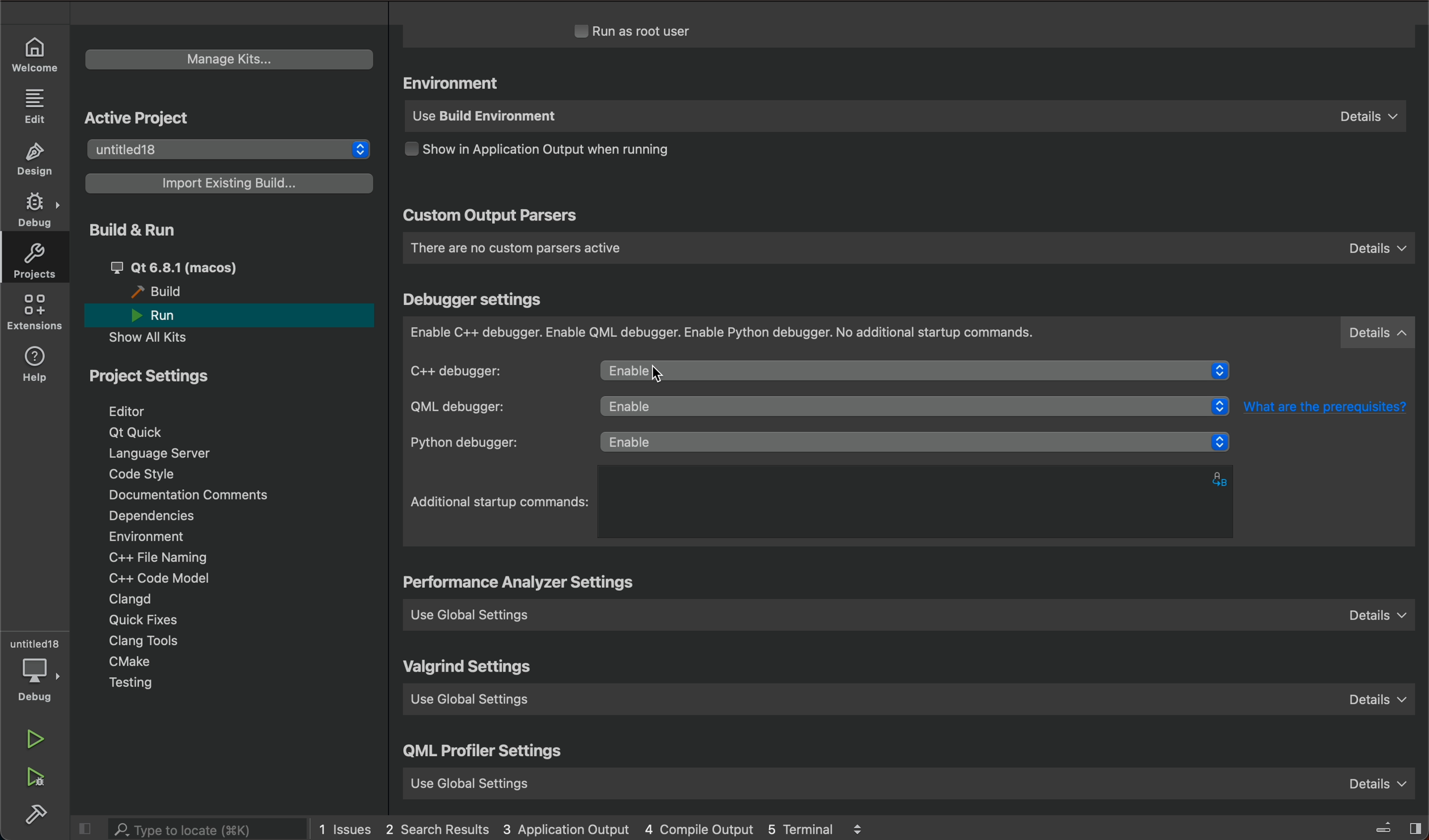 Image resolution: width=1429 pixels, height=840 pixels. I want to click on WELCOME, so click(35, 53).